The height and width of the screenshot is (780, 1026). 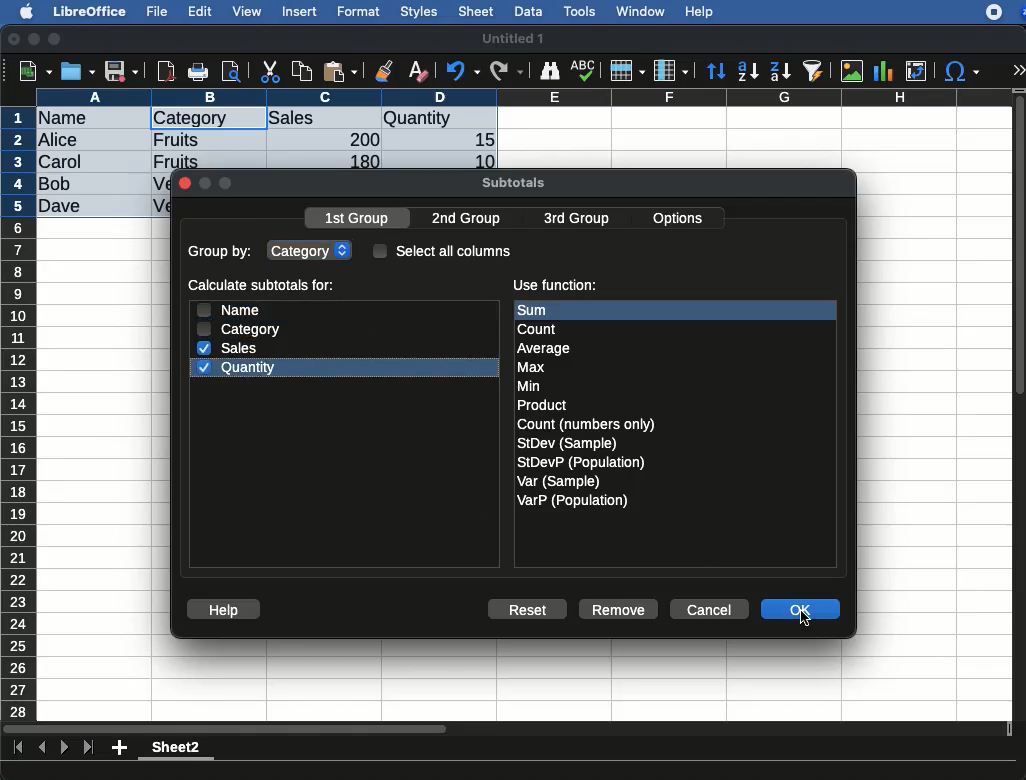 What do you see at coordinates (44, 748) in the screenshot?
I see `previous sheet` at bounding box center [44, 748].